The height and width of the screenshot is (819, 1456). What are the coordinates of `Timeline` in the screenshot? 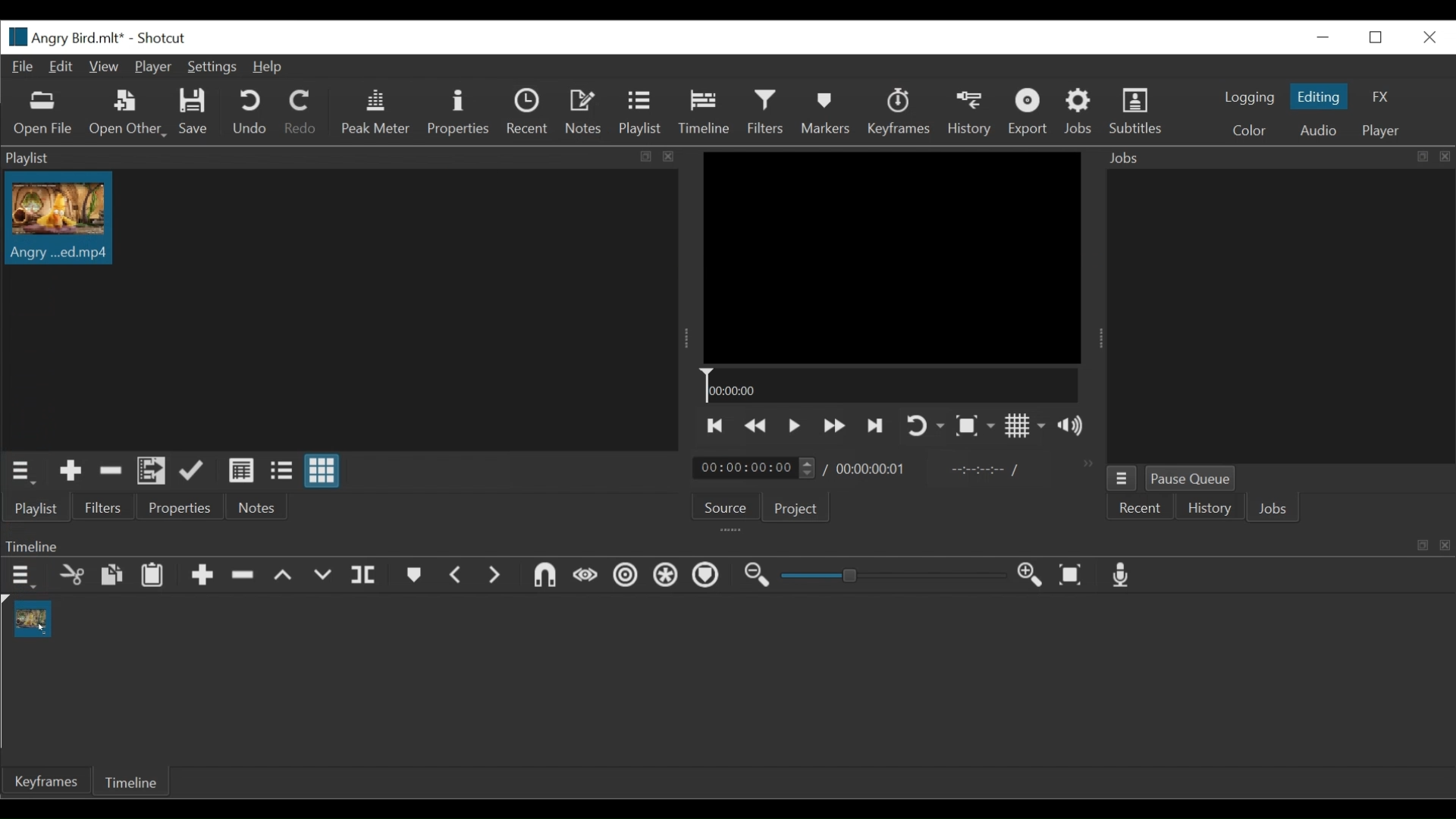 It's located at (704, 111).